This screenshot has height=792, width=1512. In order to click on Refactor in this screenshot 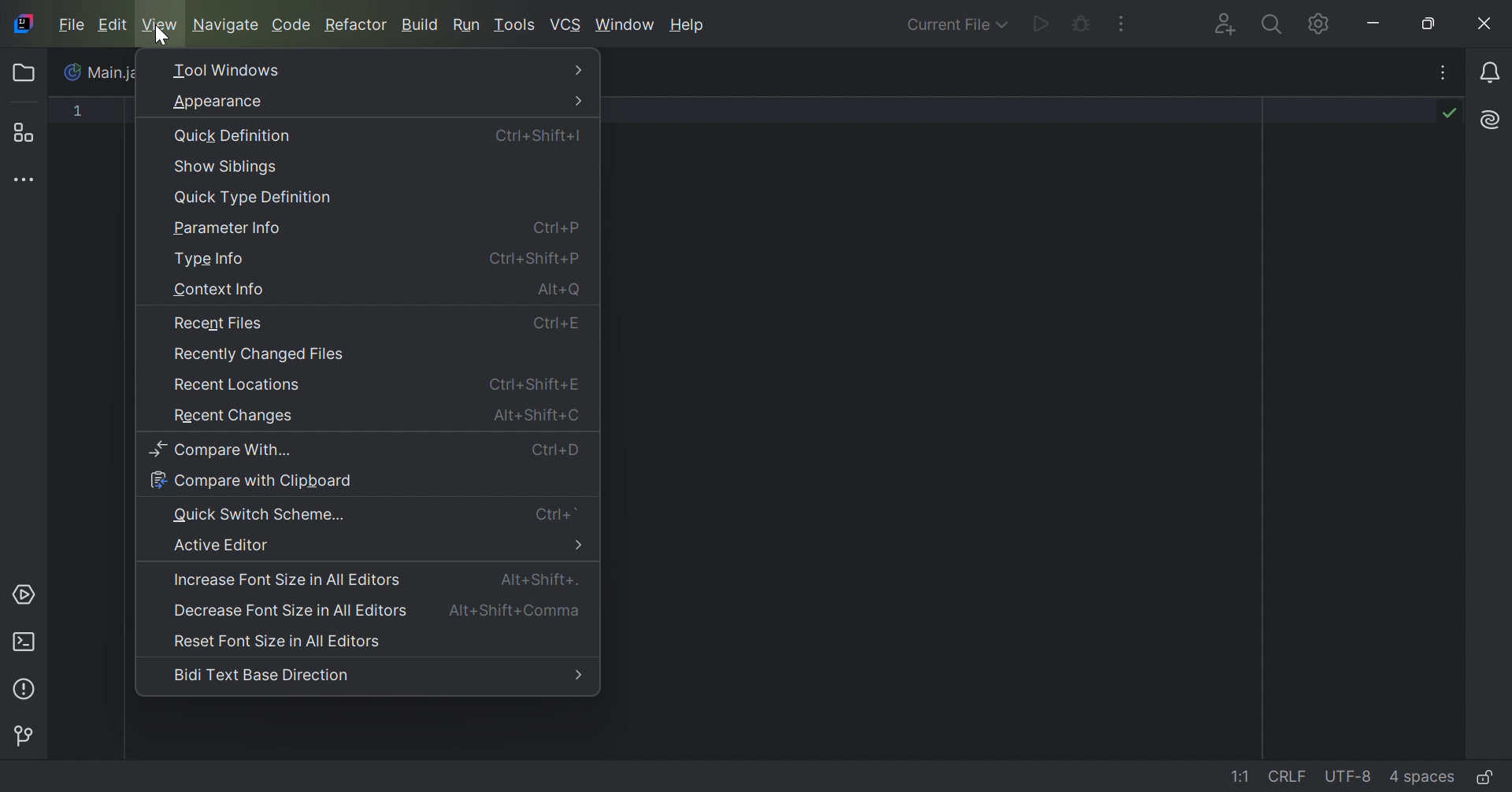, I will do `click(359, 26)`.